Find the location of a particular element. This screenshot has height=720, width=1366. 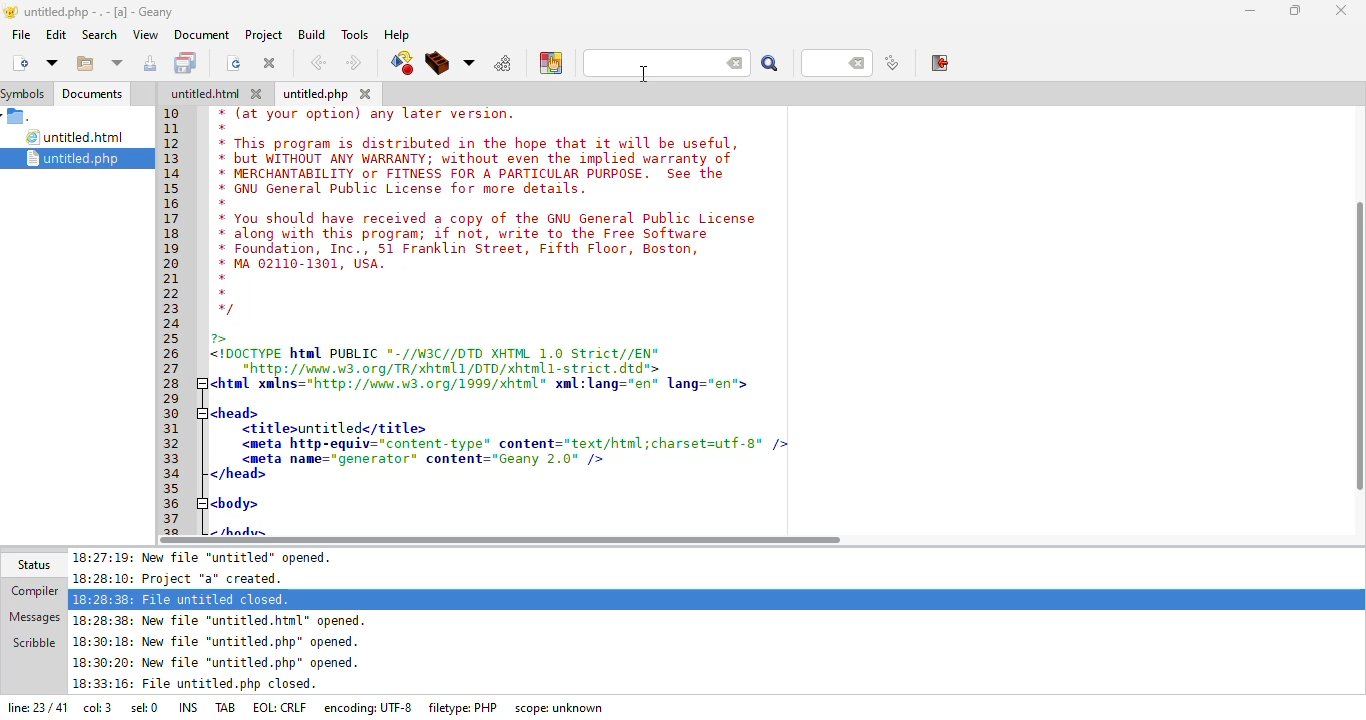

20 is located at coordinates (171, 262).